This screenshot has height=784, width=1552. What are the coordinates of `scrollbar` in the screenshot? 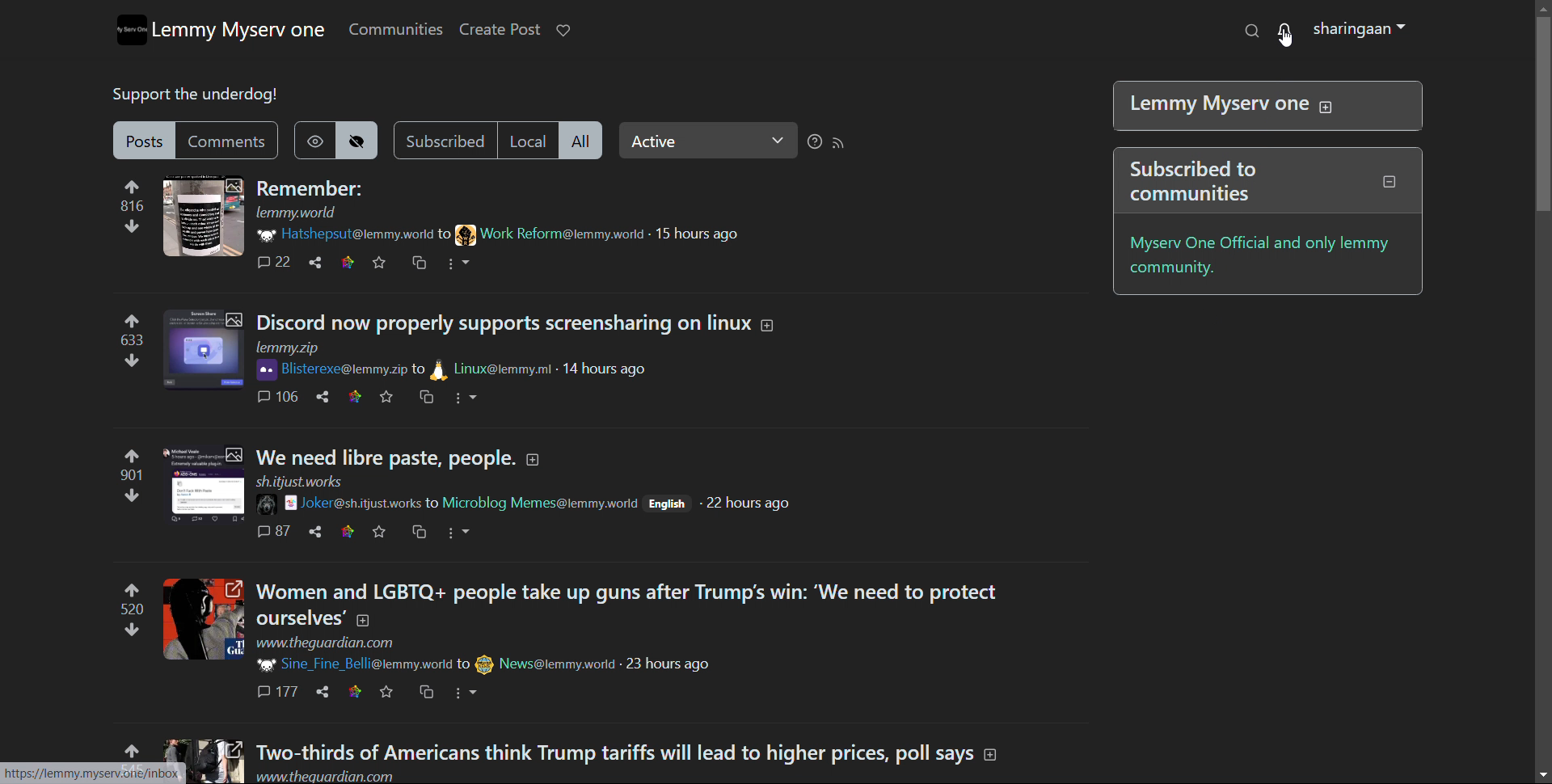 It's located at (1541, 112).